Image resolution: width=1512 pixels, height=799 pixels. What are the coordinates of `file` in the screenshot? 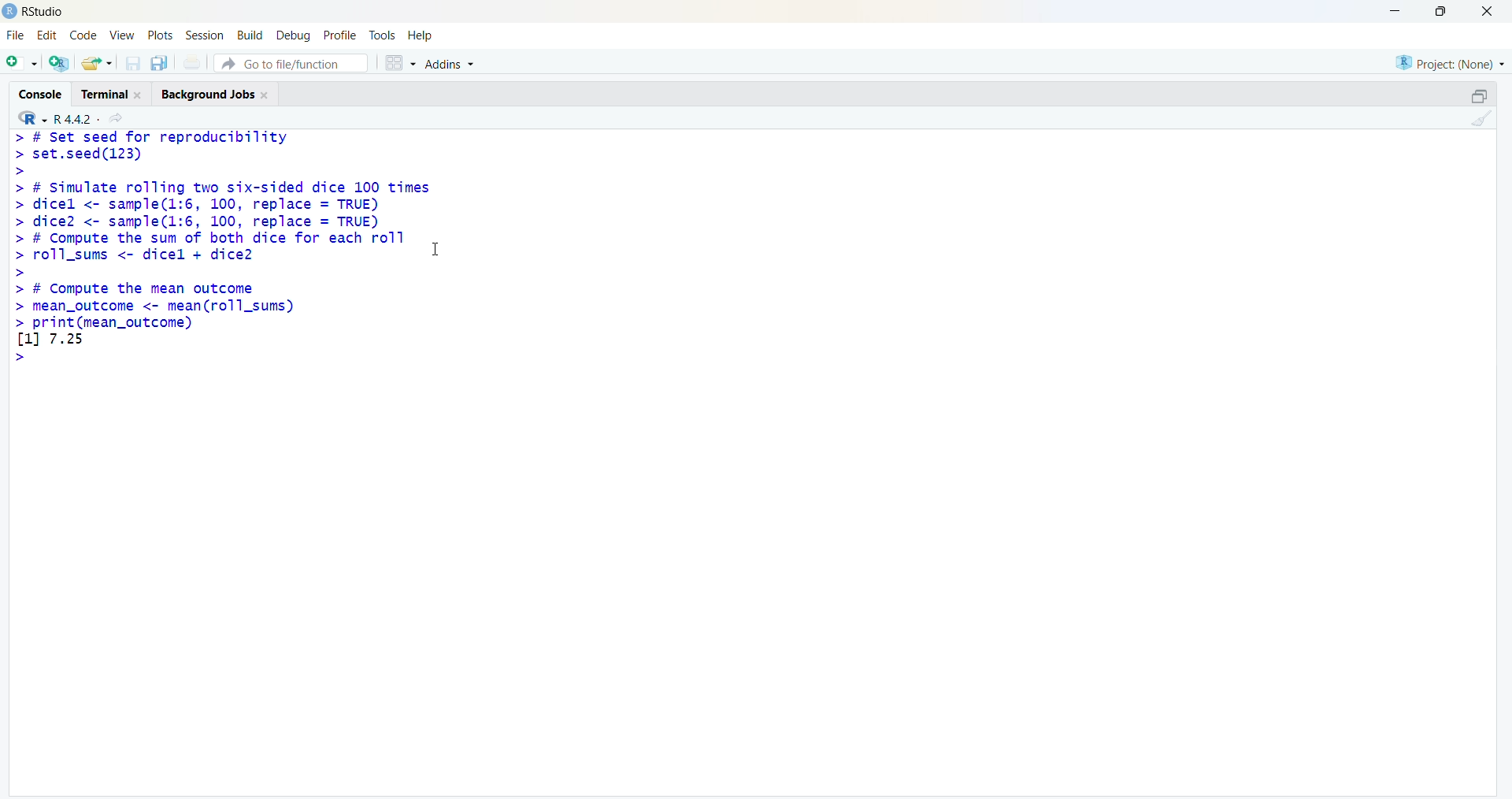 It's located at (16, 35).